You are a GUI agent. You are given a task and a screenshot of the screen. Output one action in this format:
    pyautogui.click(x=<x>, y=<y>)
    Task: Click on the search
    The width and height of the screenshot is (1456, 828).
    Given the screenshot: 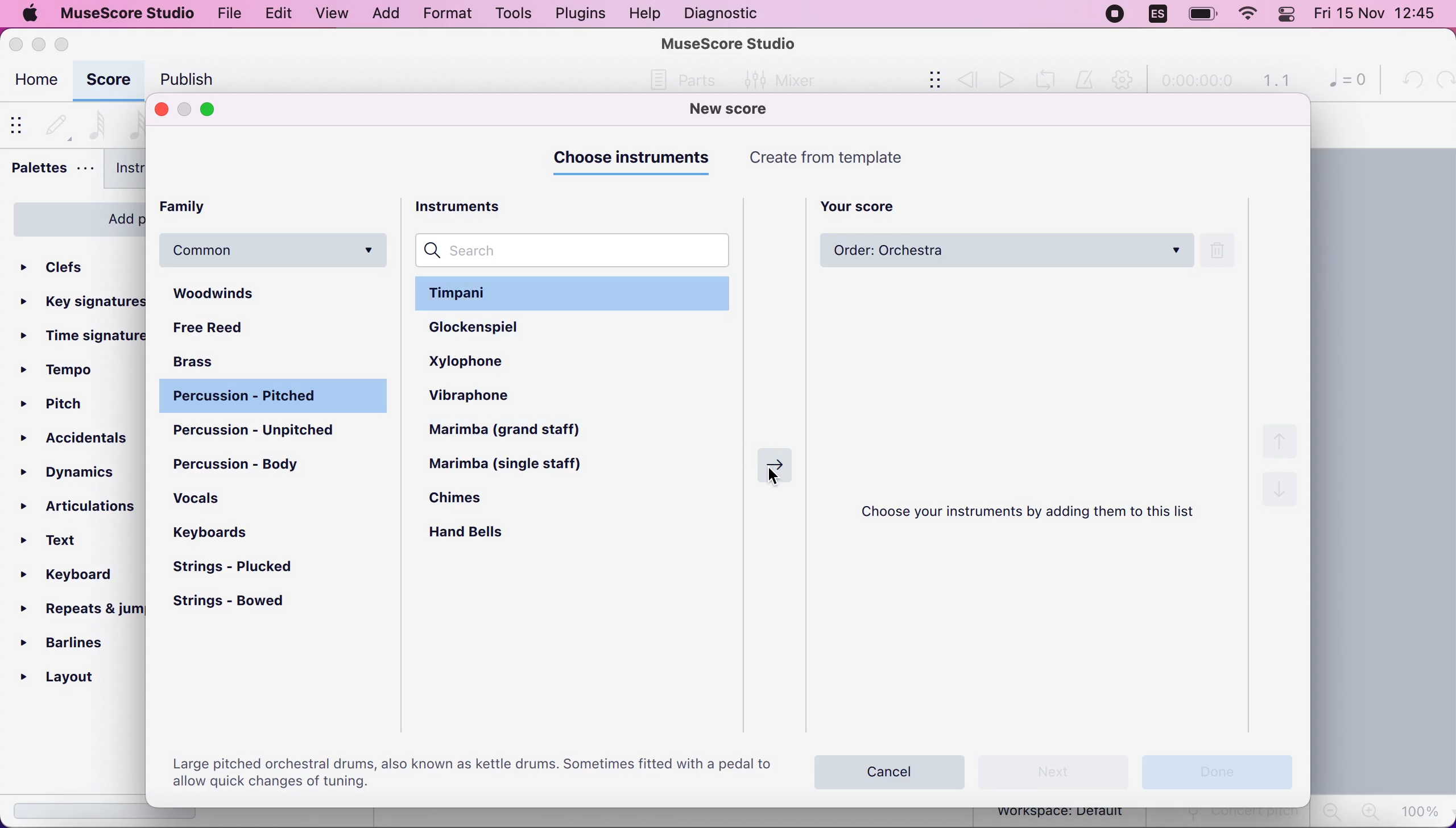 What is the action you would take?
    pyautogui.click(x=577, y=250)
    